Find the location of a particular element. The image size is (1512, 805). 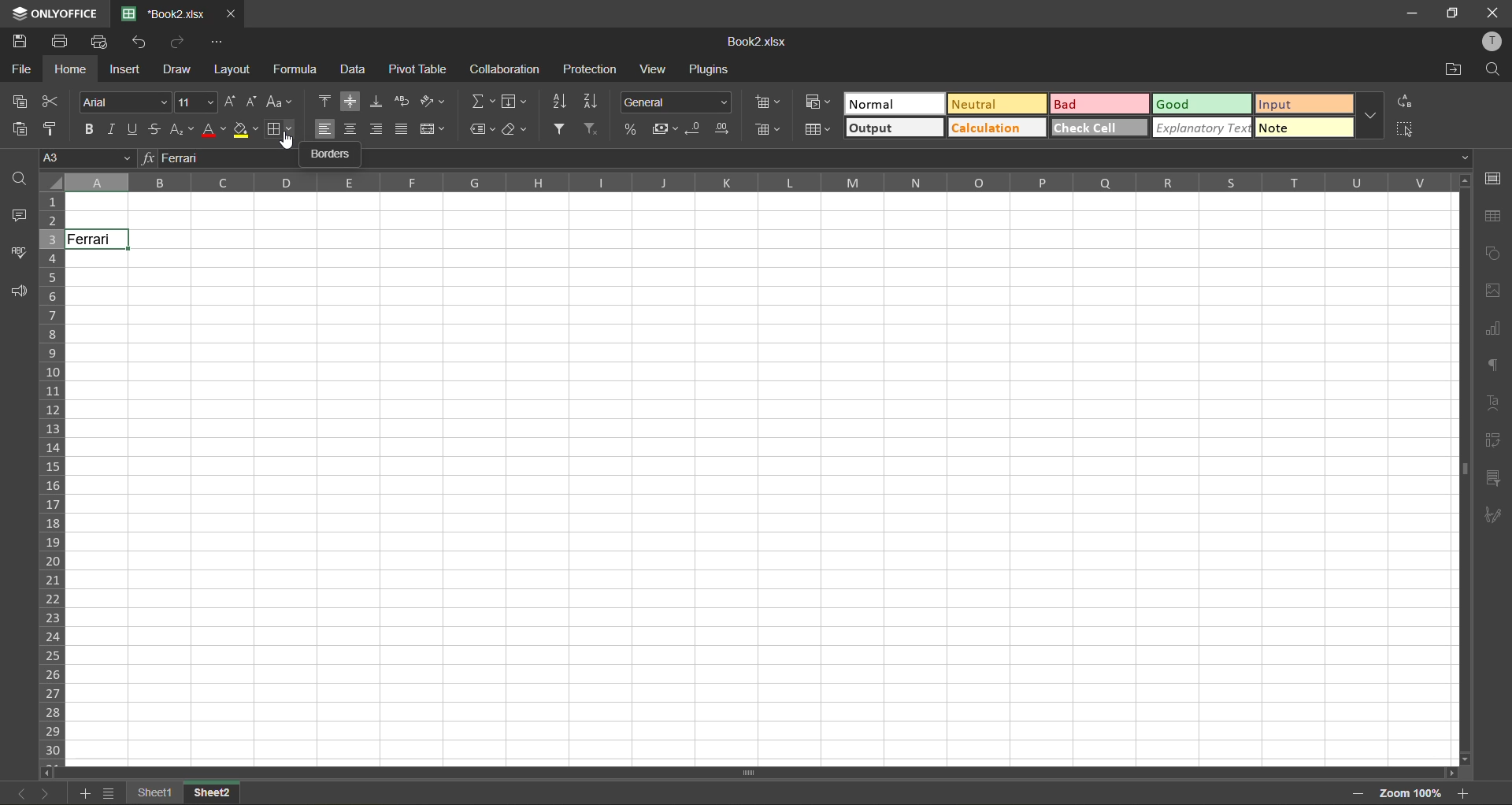

format as table is located at coordinates (817, 131).